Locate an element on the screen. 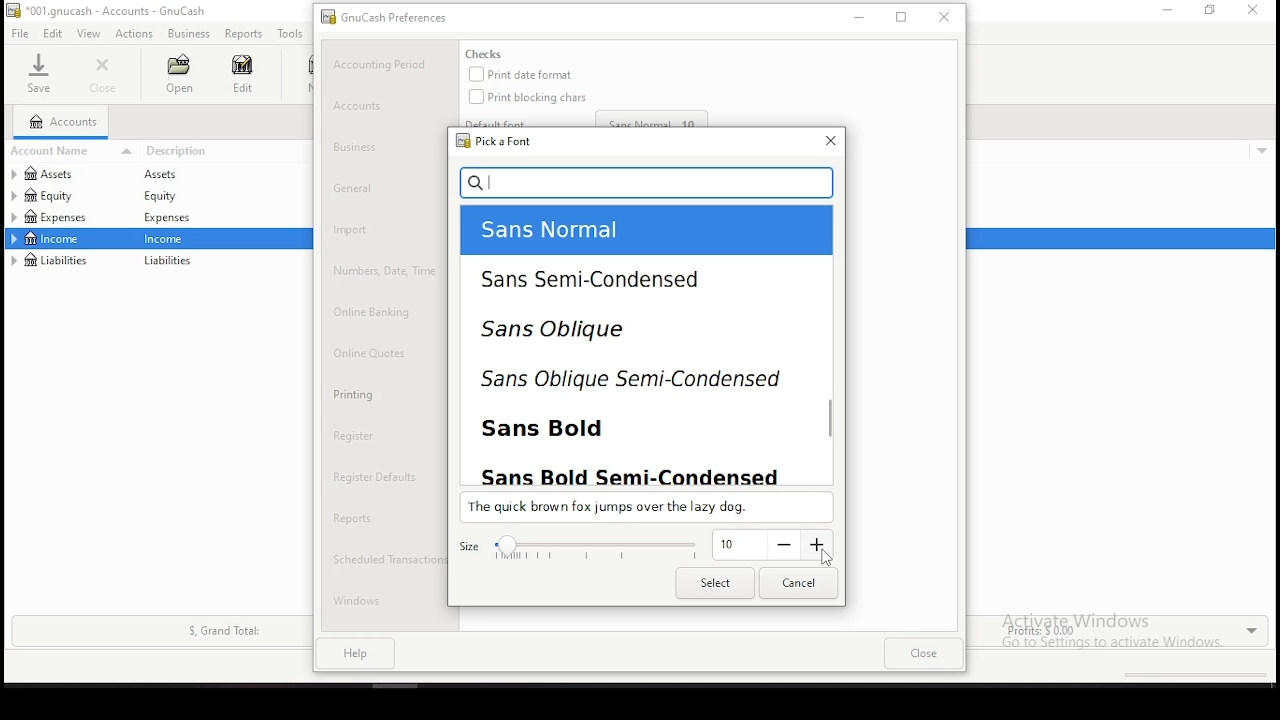  font option is located at coordinates (604, 231).